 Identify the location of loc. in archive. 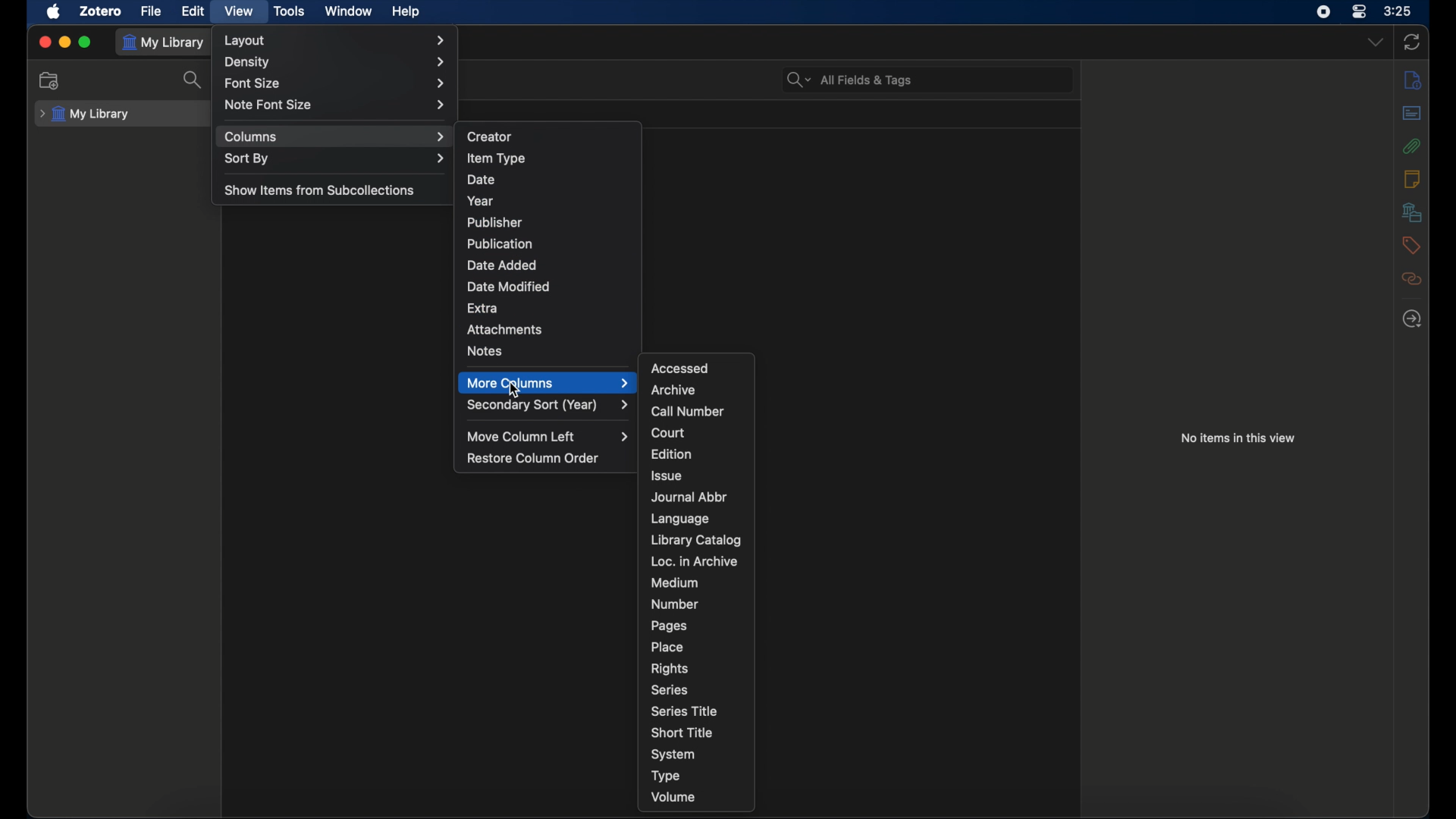
(695, 561).